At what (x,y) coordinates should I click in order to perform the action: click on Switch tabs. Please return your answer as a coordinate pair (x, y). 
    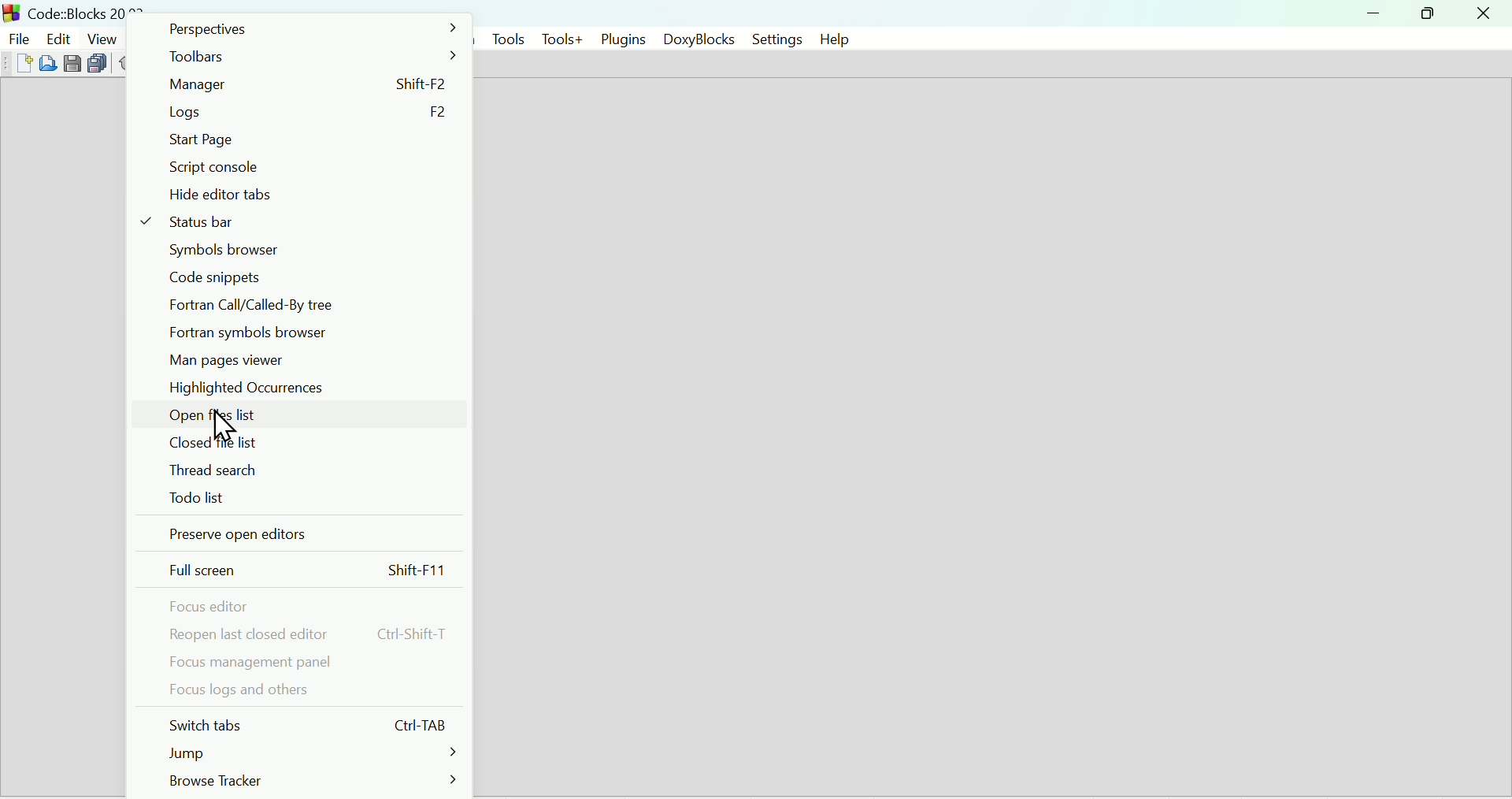
    Looking at the image, I should click on (305, 723).